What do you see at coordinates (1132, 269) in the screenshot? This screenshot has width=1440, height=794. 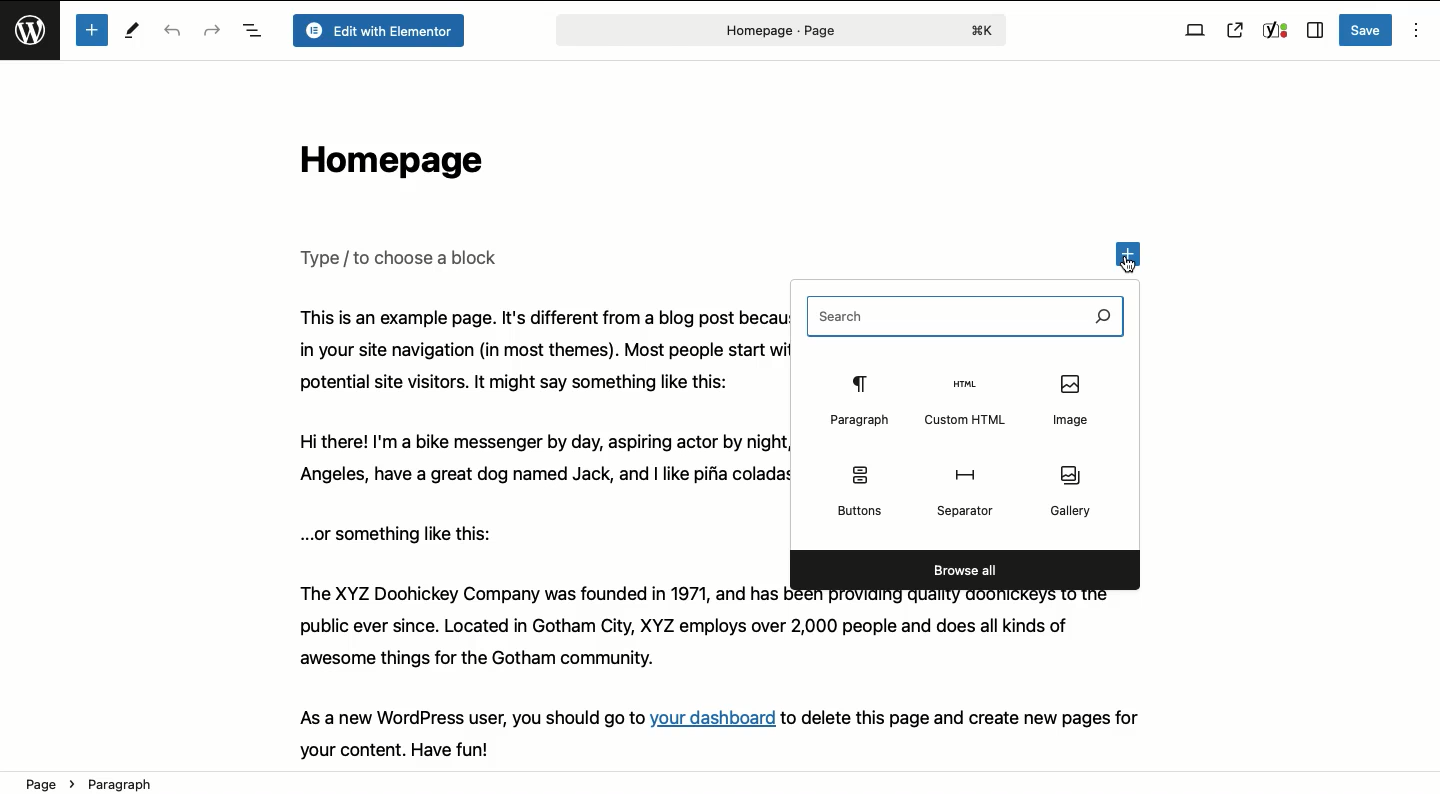 I see `Cursor` at bounding box center [1132, 269].